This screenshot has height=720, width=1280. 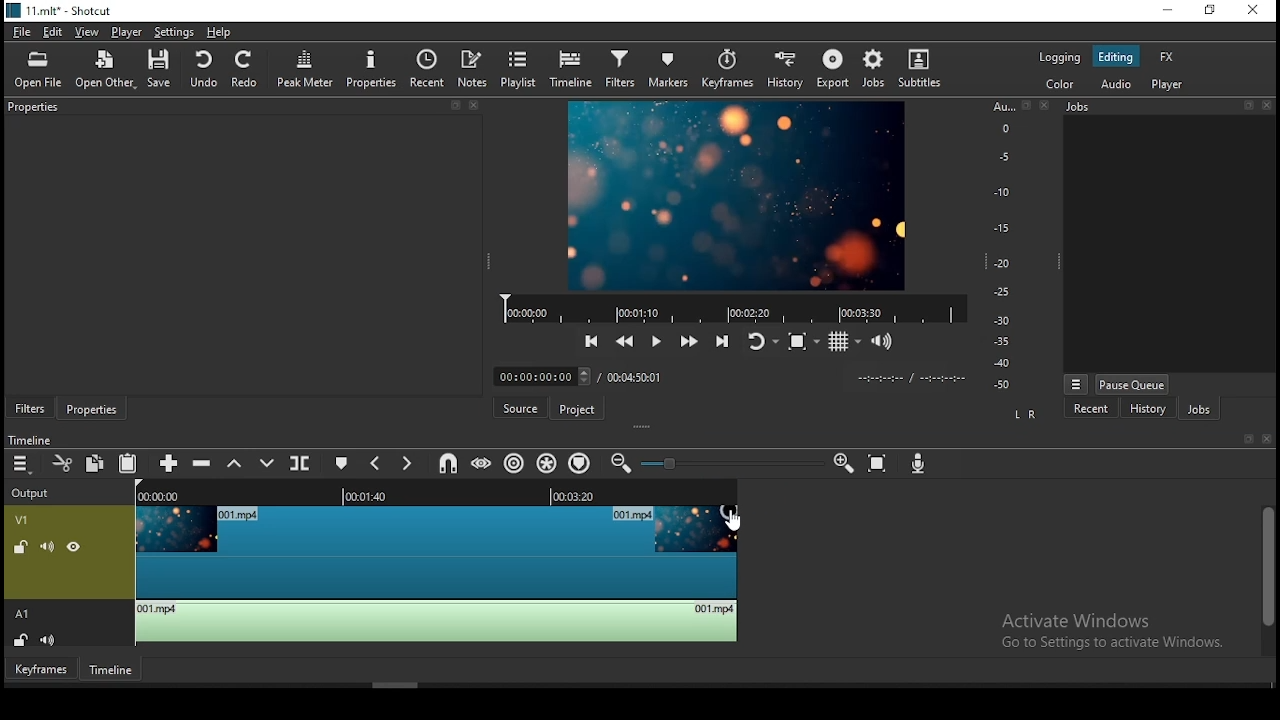 I want to click on player, so click(x=127, y=31).